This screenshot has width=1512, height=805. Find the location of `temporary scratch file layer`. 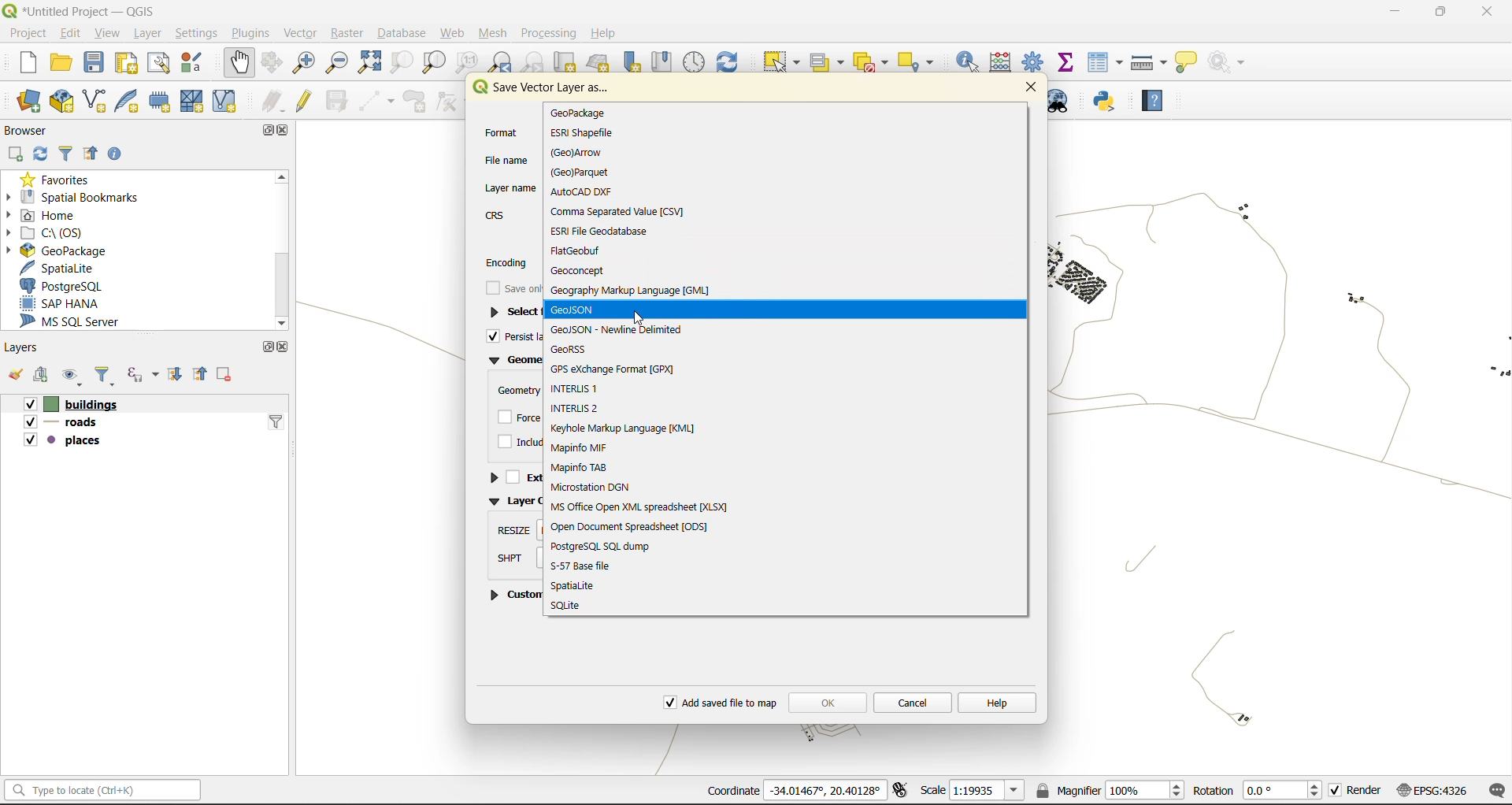

temporary scratch file layer is located at coordinates (165, 100).